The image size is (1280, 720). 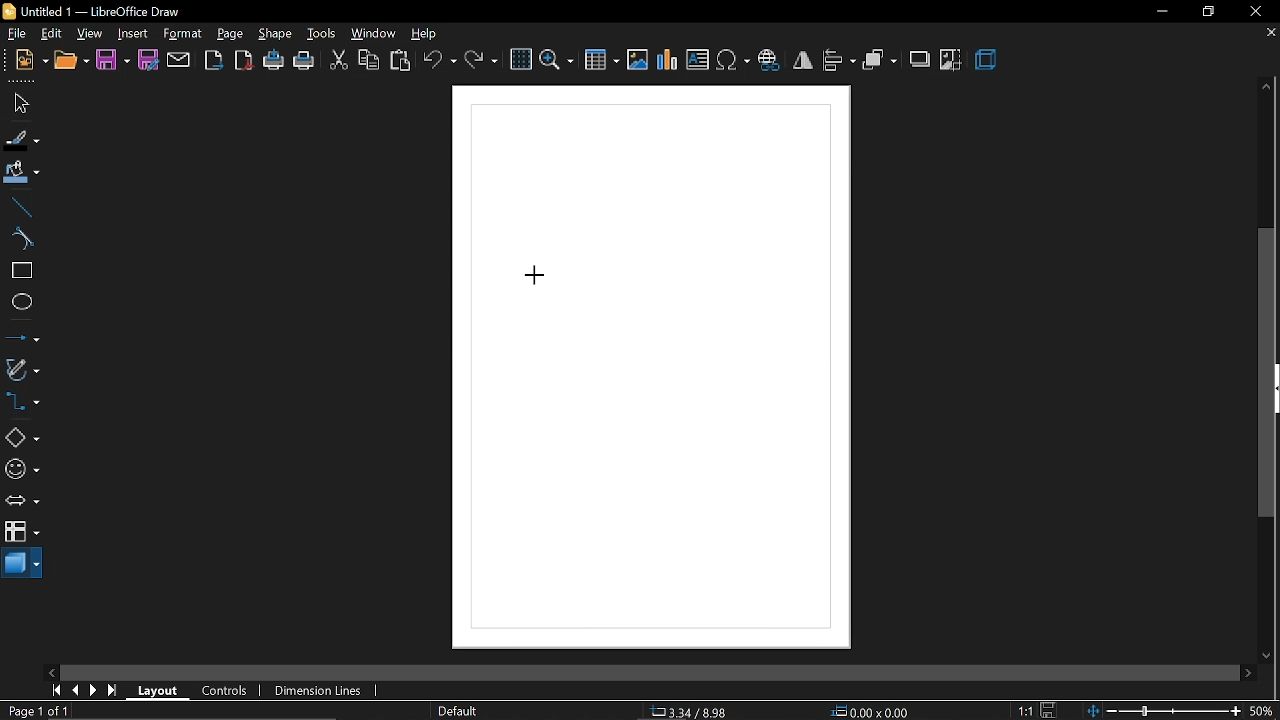 I want to click on flip, so click(x=803, y=60).